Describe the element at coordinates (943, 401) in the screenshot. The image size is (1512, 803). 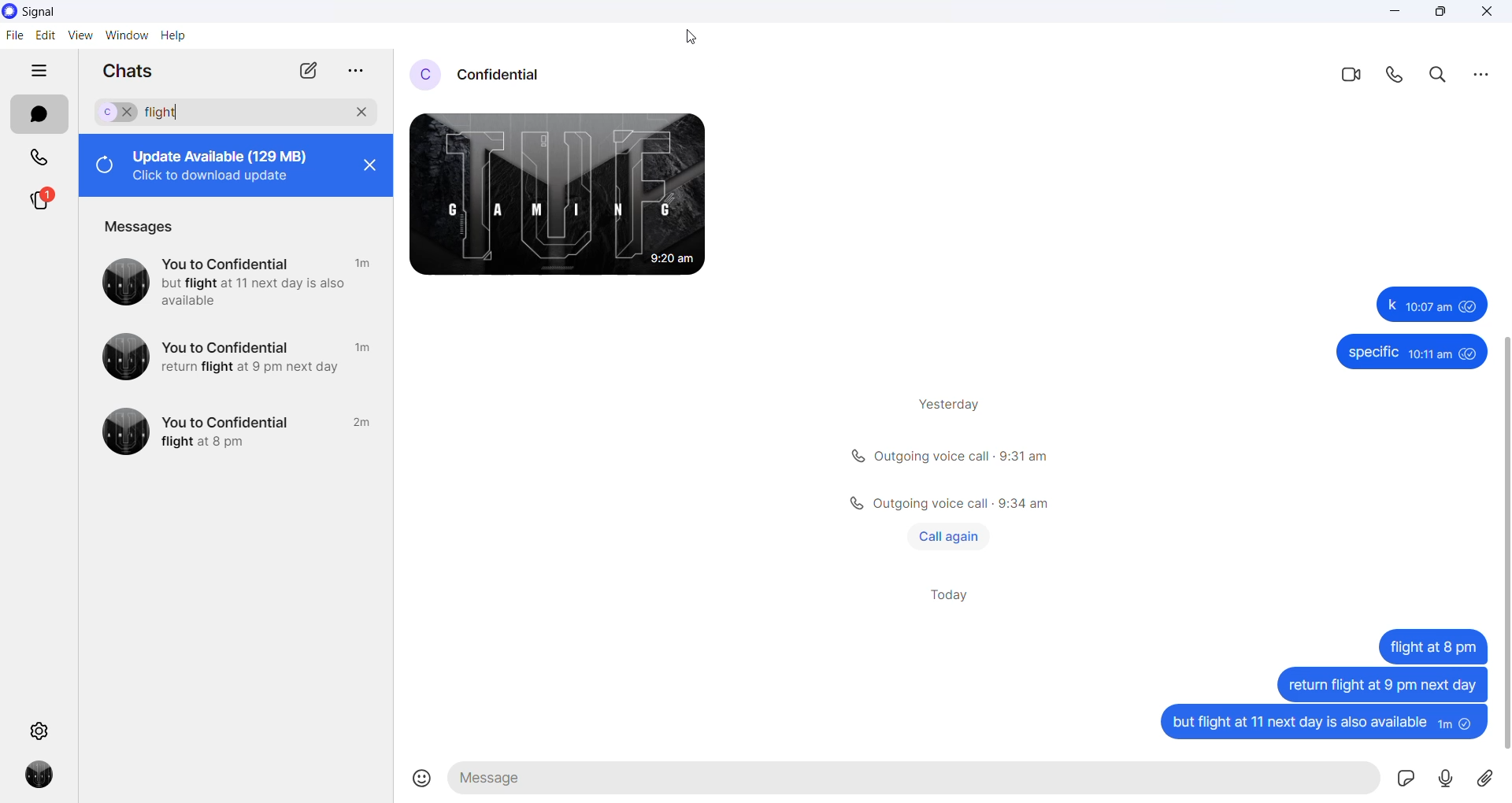
I see `yesterday text` at that location.